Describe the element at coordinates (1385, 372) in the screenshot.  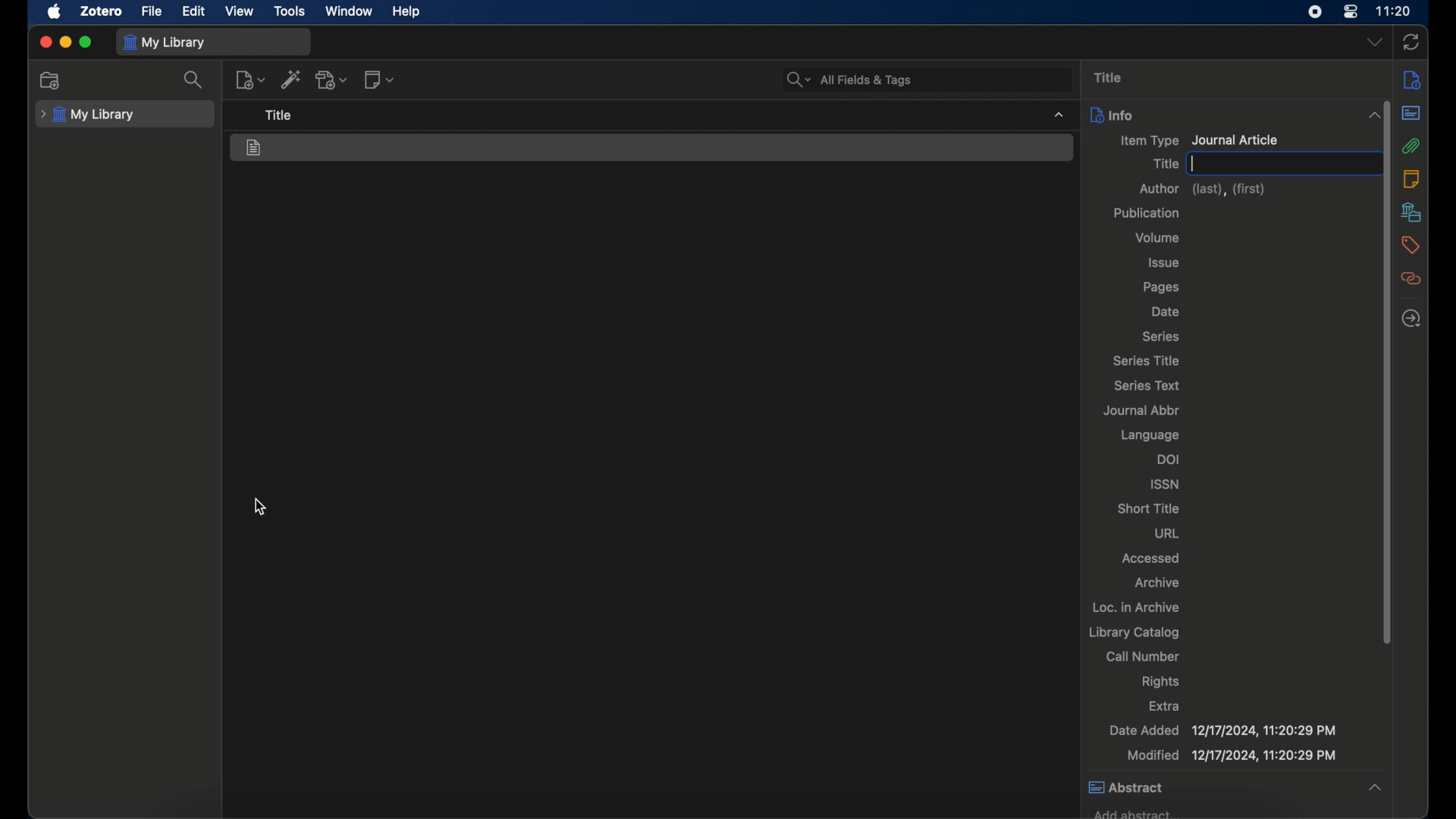
I see `scroll box` at that location.